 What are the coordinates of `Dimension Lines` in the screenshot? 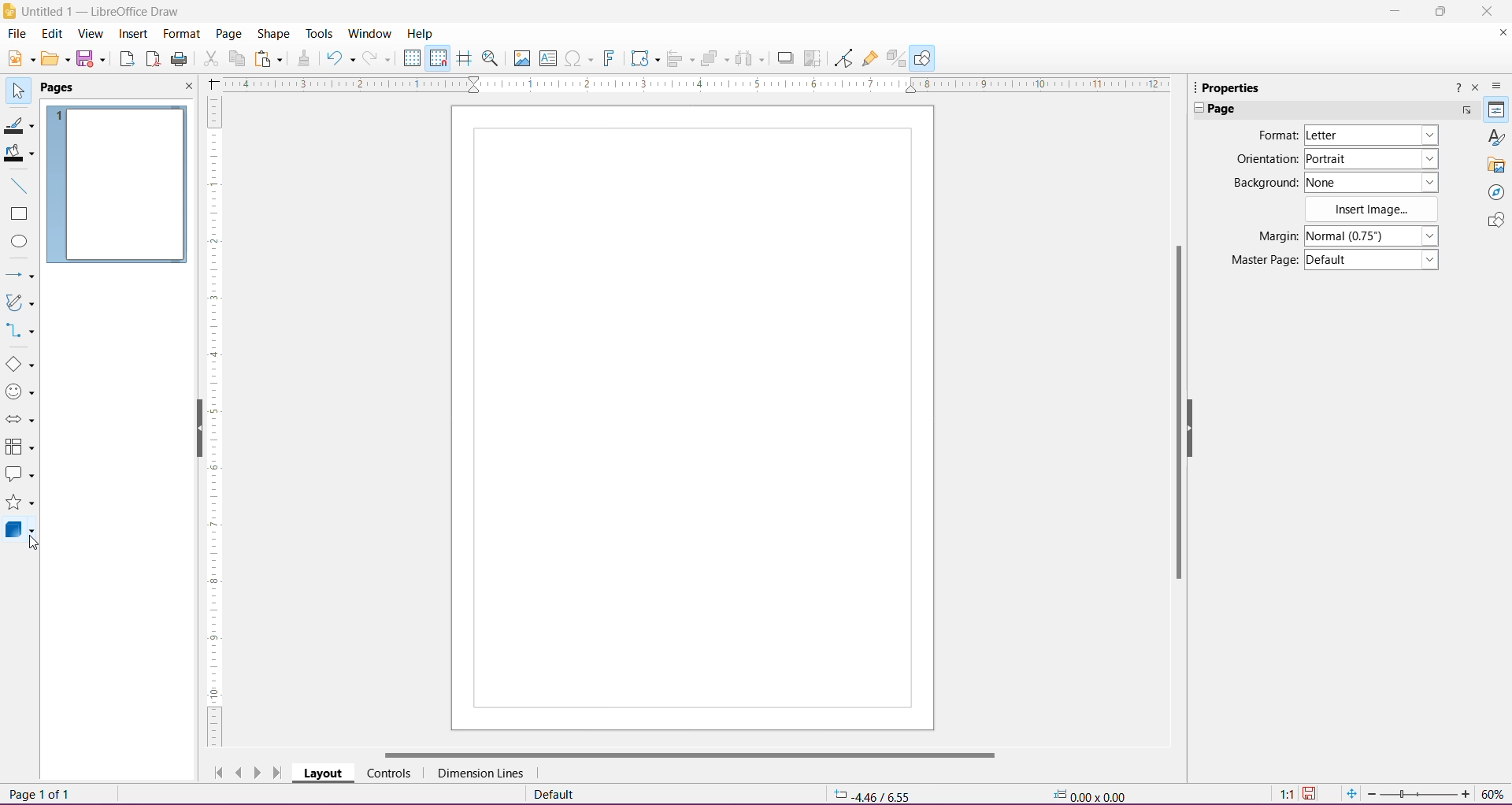 It's located at (482, 773).